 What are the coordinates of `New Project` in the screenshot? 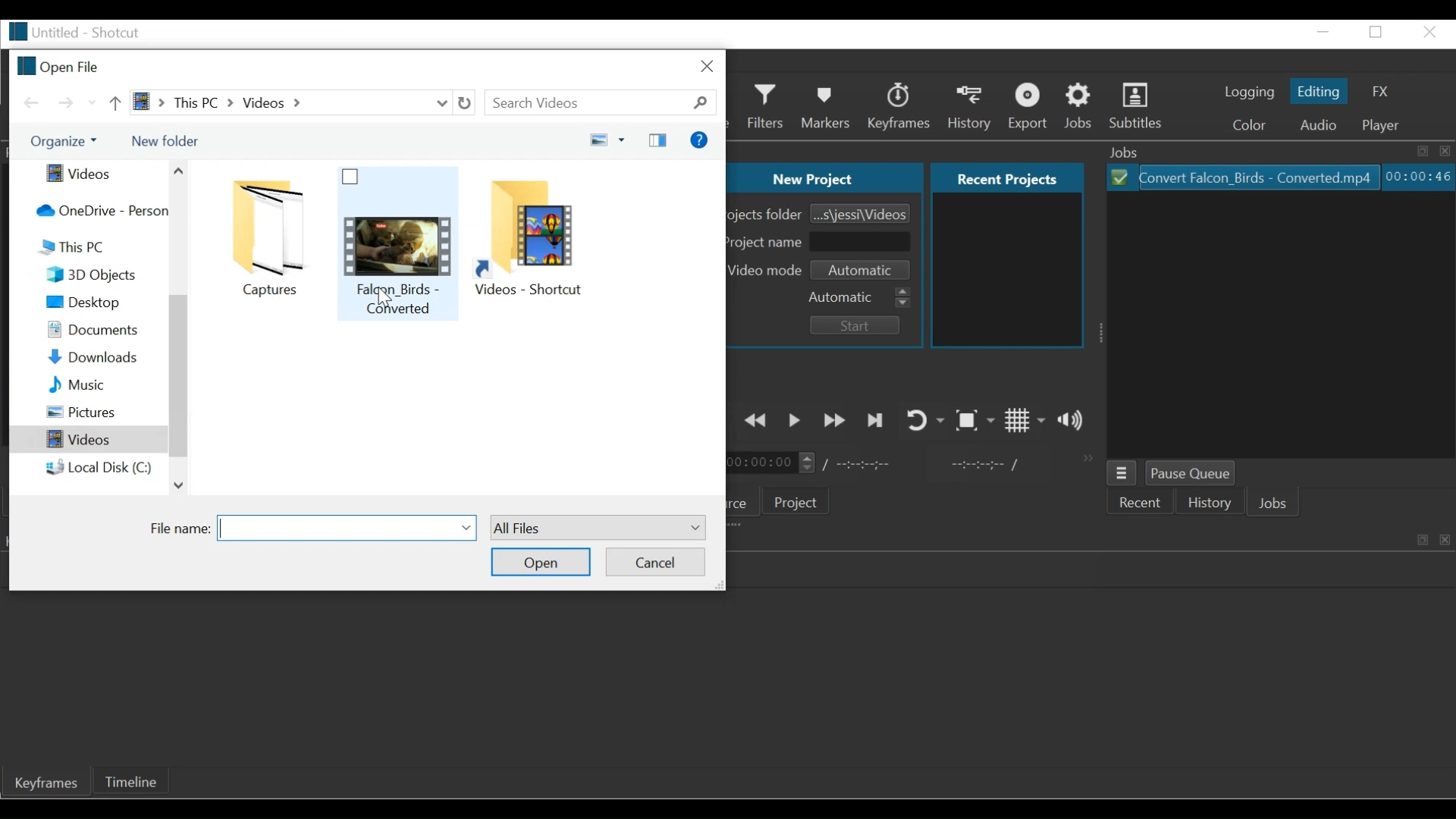 It's located at (825, 177).